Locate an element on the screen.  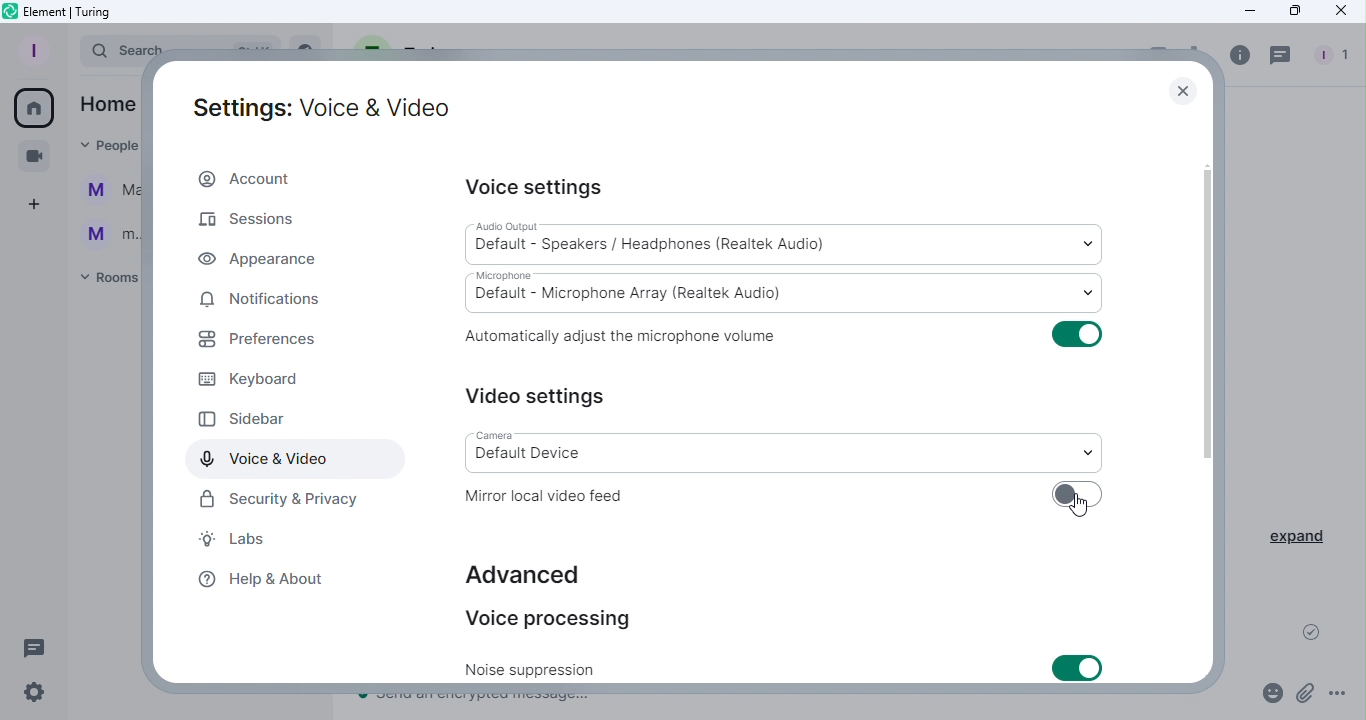
Message sent is located at coordinates (1304, 632).